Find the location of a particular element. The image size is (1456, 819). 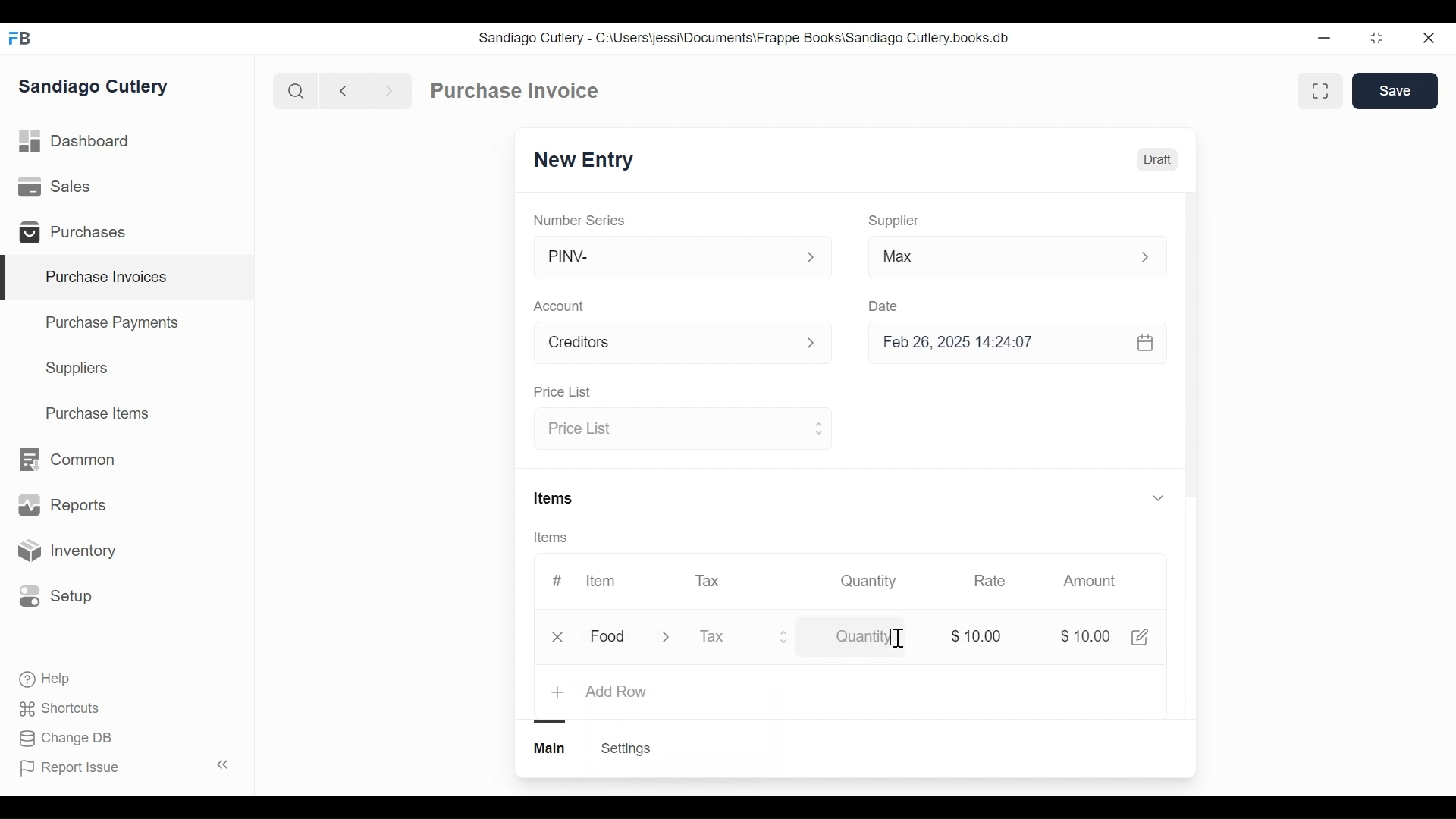

Account is located at coordinates (664, 345).